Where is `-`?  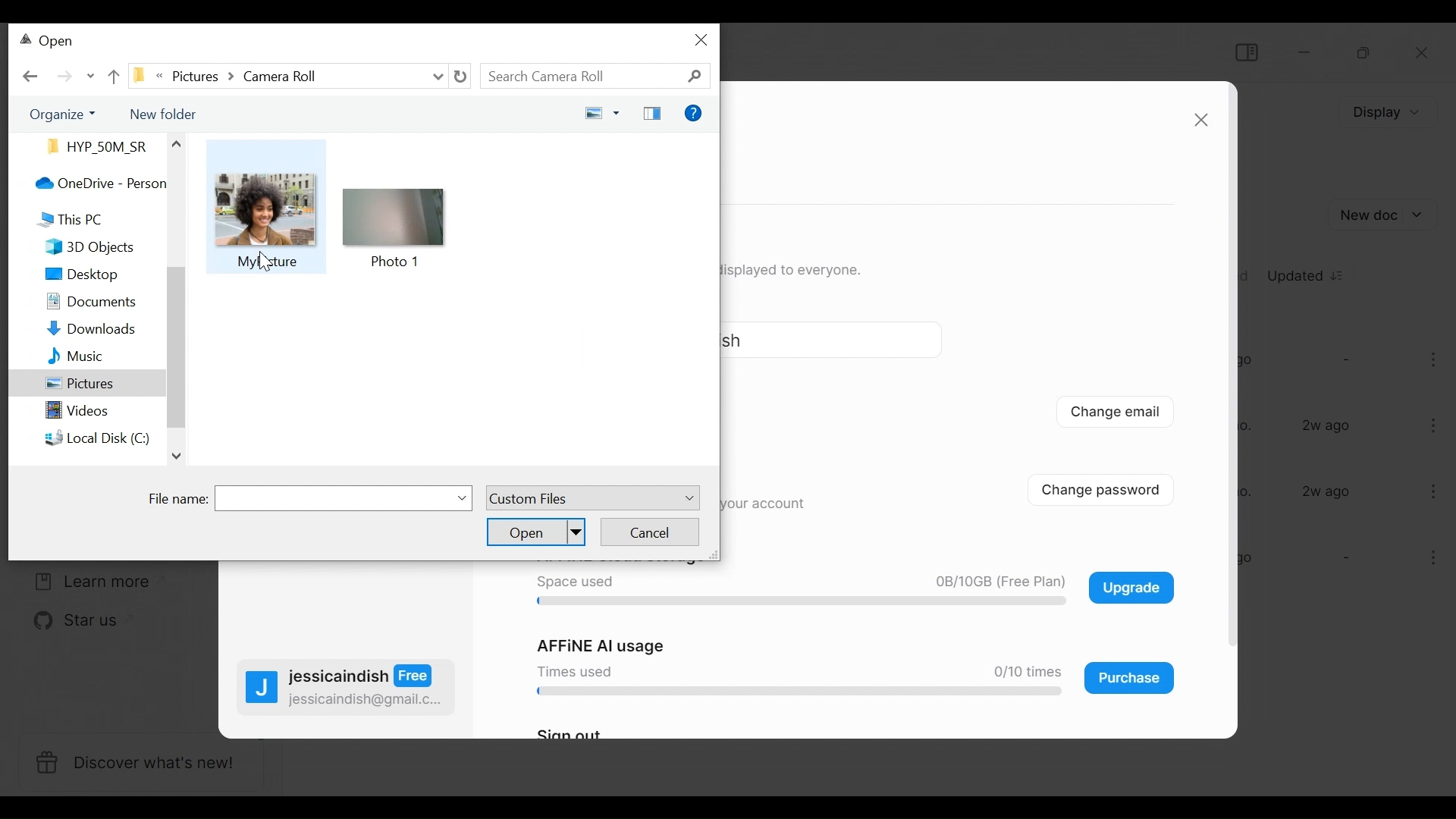
- is located at coordinates (1344, 559).